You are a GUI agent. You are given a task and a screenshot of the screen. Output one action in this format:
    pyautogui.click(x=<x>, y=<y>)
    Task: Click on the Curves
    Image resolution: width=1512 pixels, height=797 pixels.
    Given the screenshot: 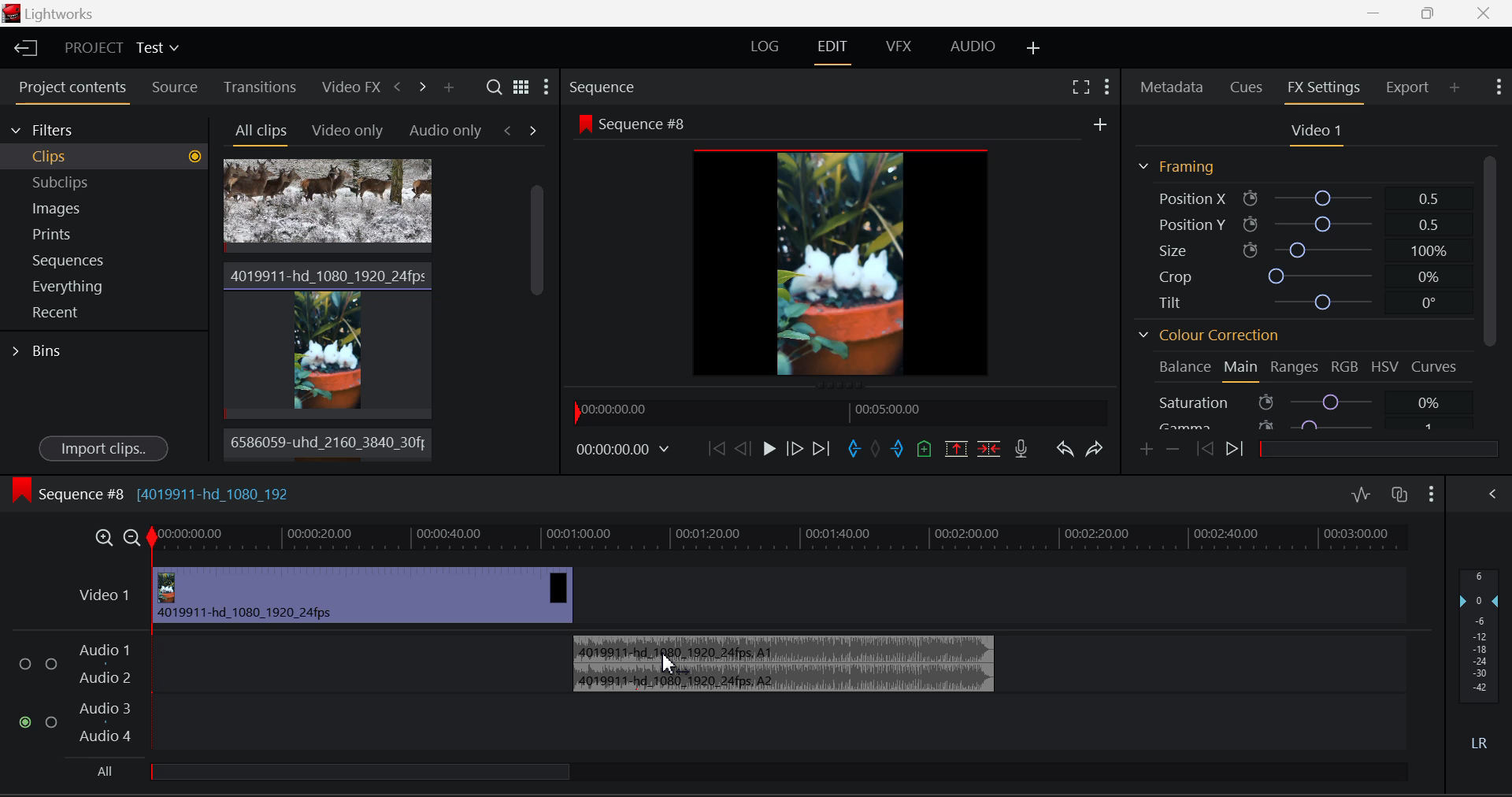 What is the action you would take?
    pyautogui.click(x=1438, y=365)
    